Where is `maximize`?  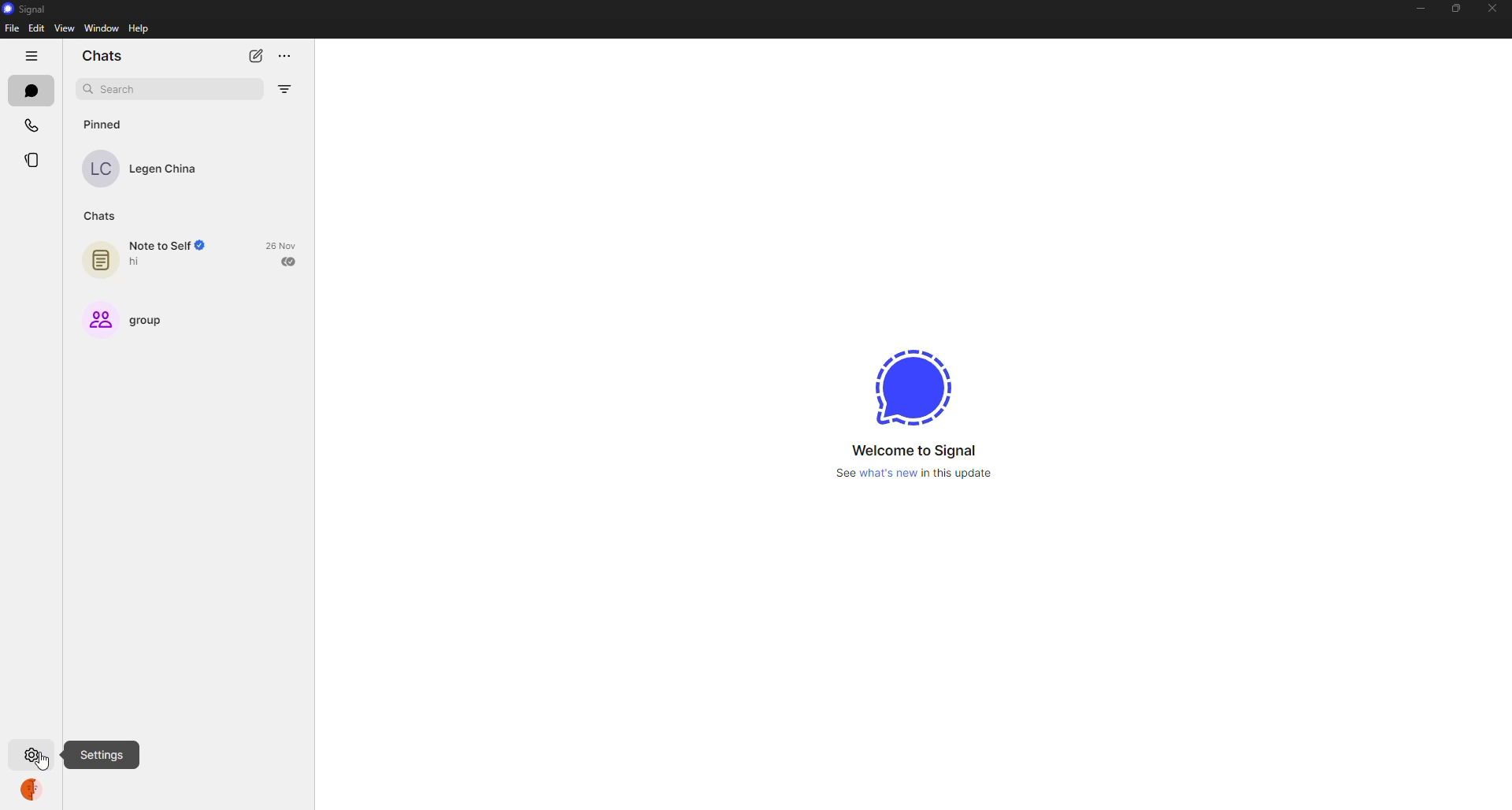
maximize is located at coordinates (1458, 6).